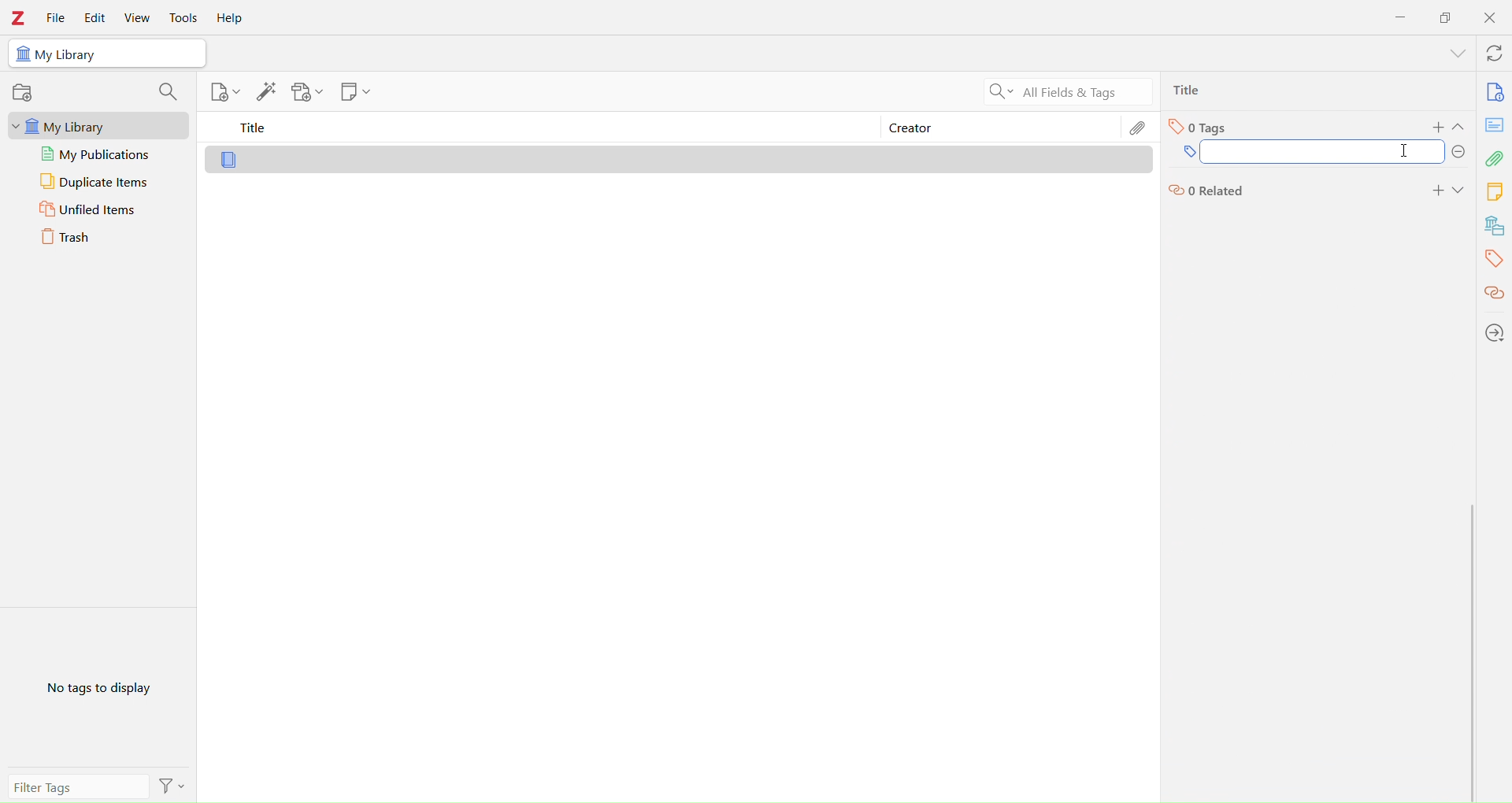 This screenshot has width=1512, height=803. Describe the element at coordinates (52, 14) in the screenshot. I see `File` at that location.